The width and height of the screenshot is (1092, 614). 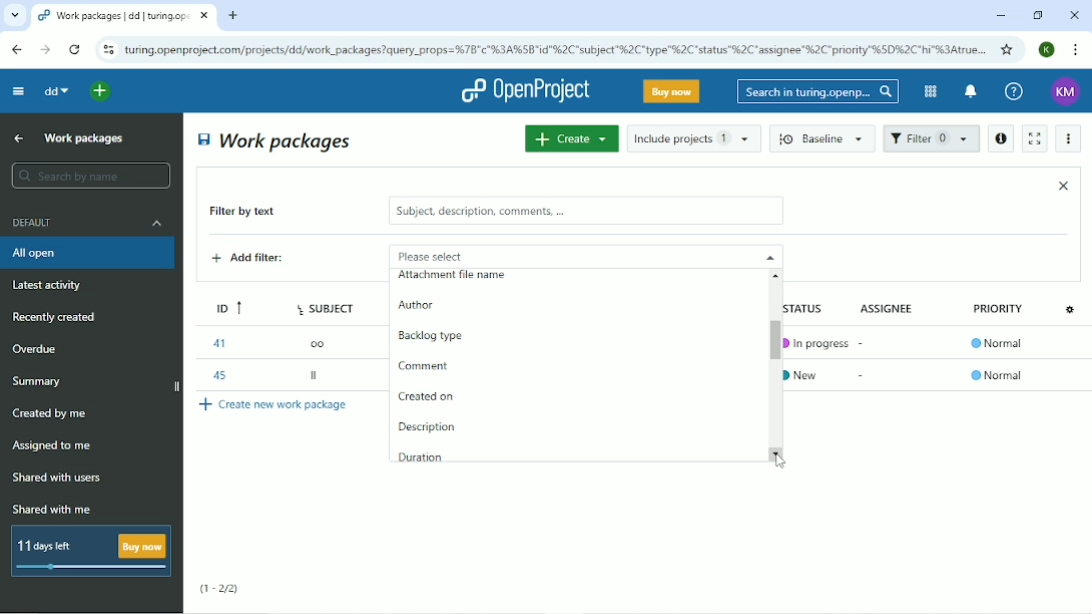 I want to click on Baseline, so click(x=824, y=138).